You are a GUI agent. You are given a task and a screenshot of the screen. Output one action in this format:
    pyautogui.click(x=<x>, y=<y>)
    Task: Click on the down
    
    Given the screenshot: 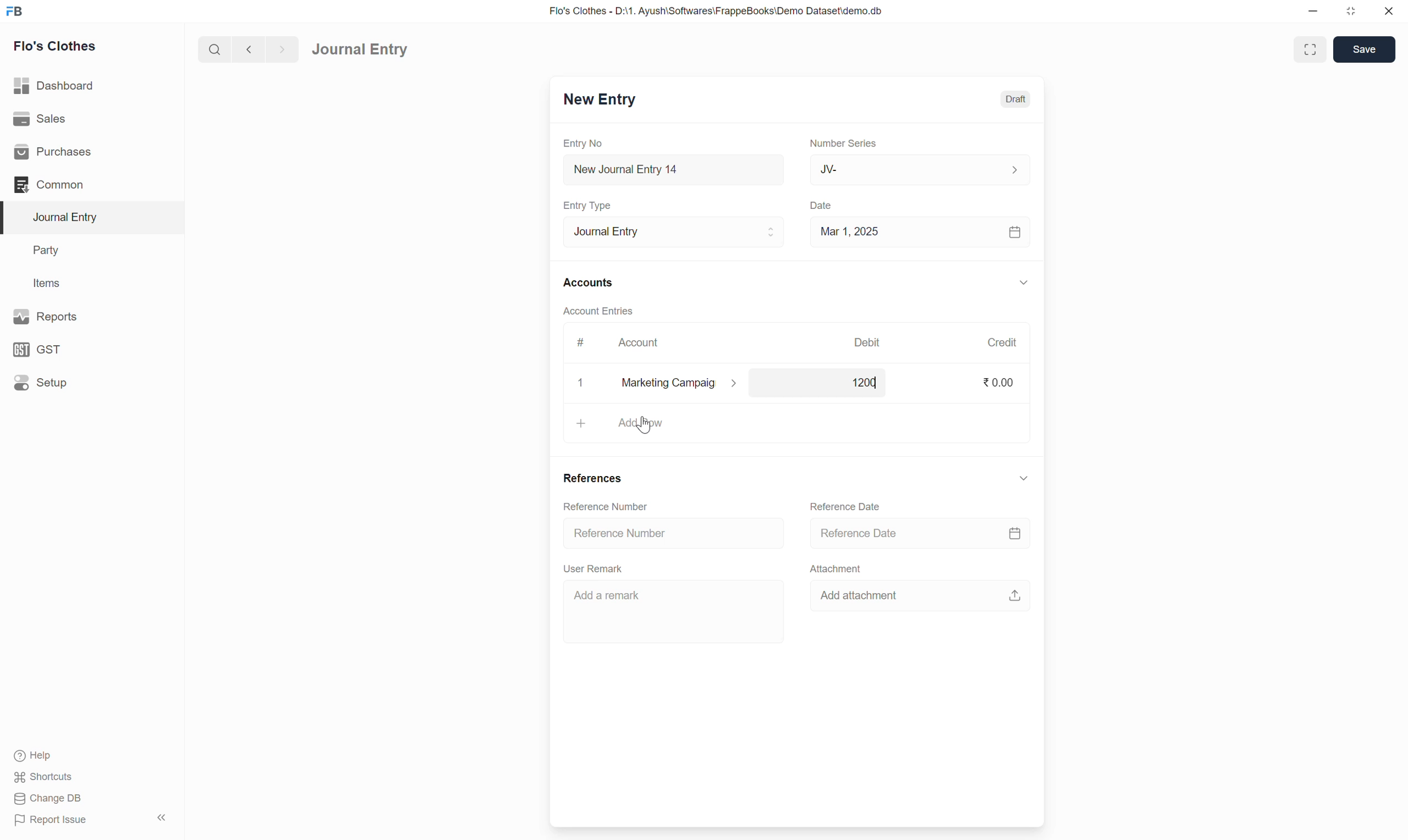 What is the action you would take?
    pyautogui.click(x=1022, y=479)
    